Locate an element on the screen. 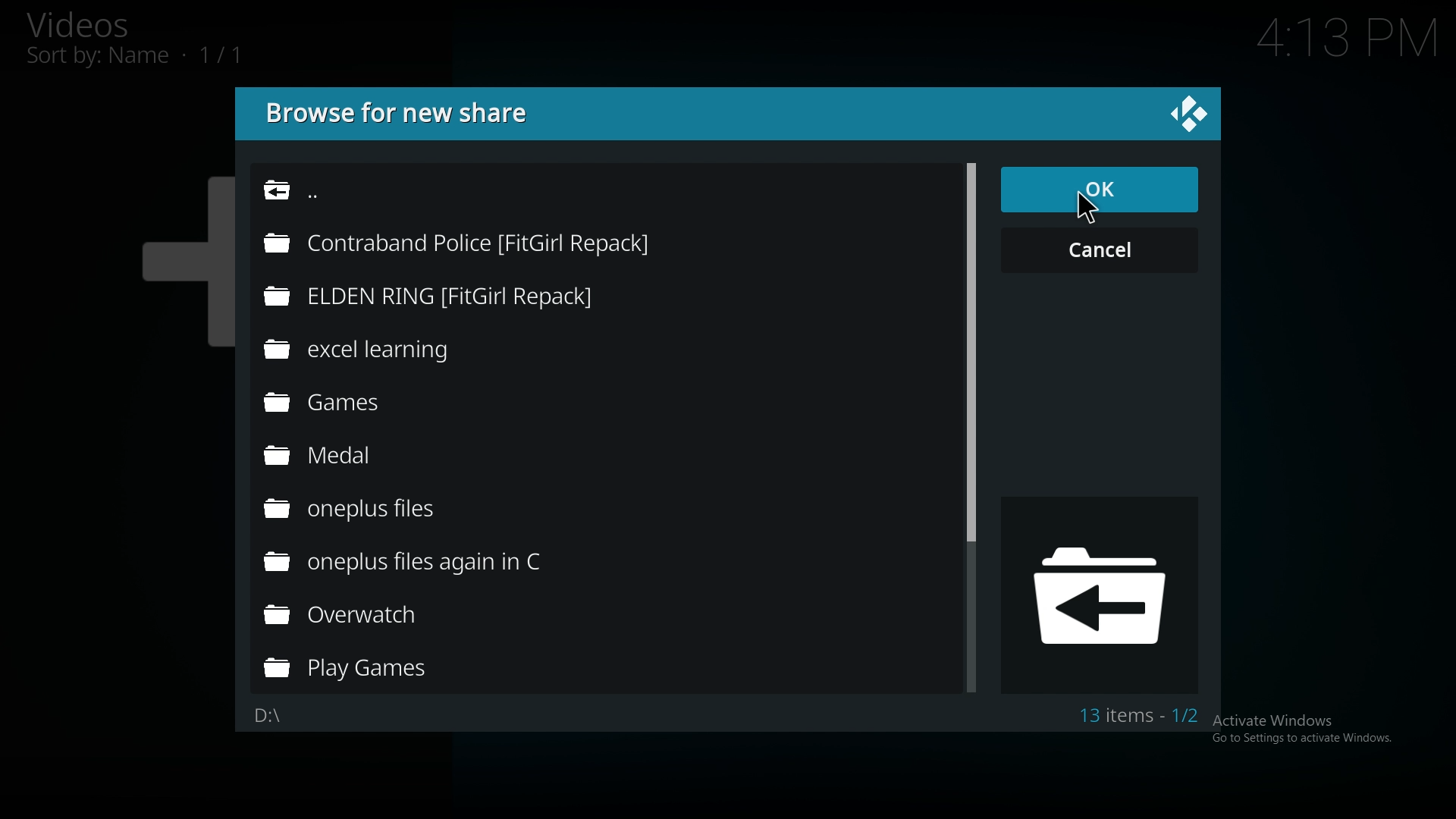  ok is located at coordinates (1097, 191).